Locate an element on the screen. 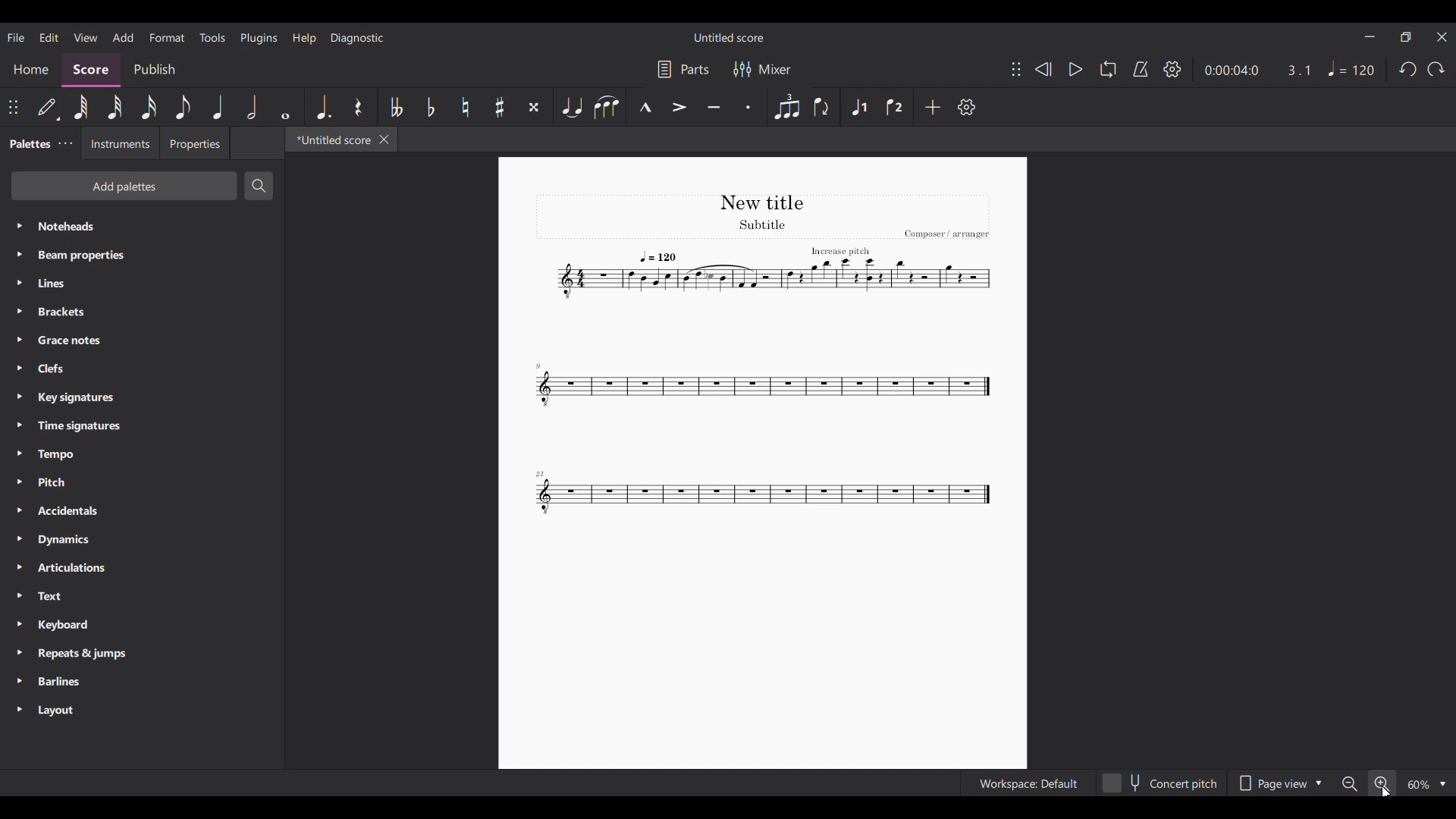 The height and width of the screenshot is (819, 1456). Quarter note is located at coordinates (218, 108).